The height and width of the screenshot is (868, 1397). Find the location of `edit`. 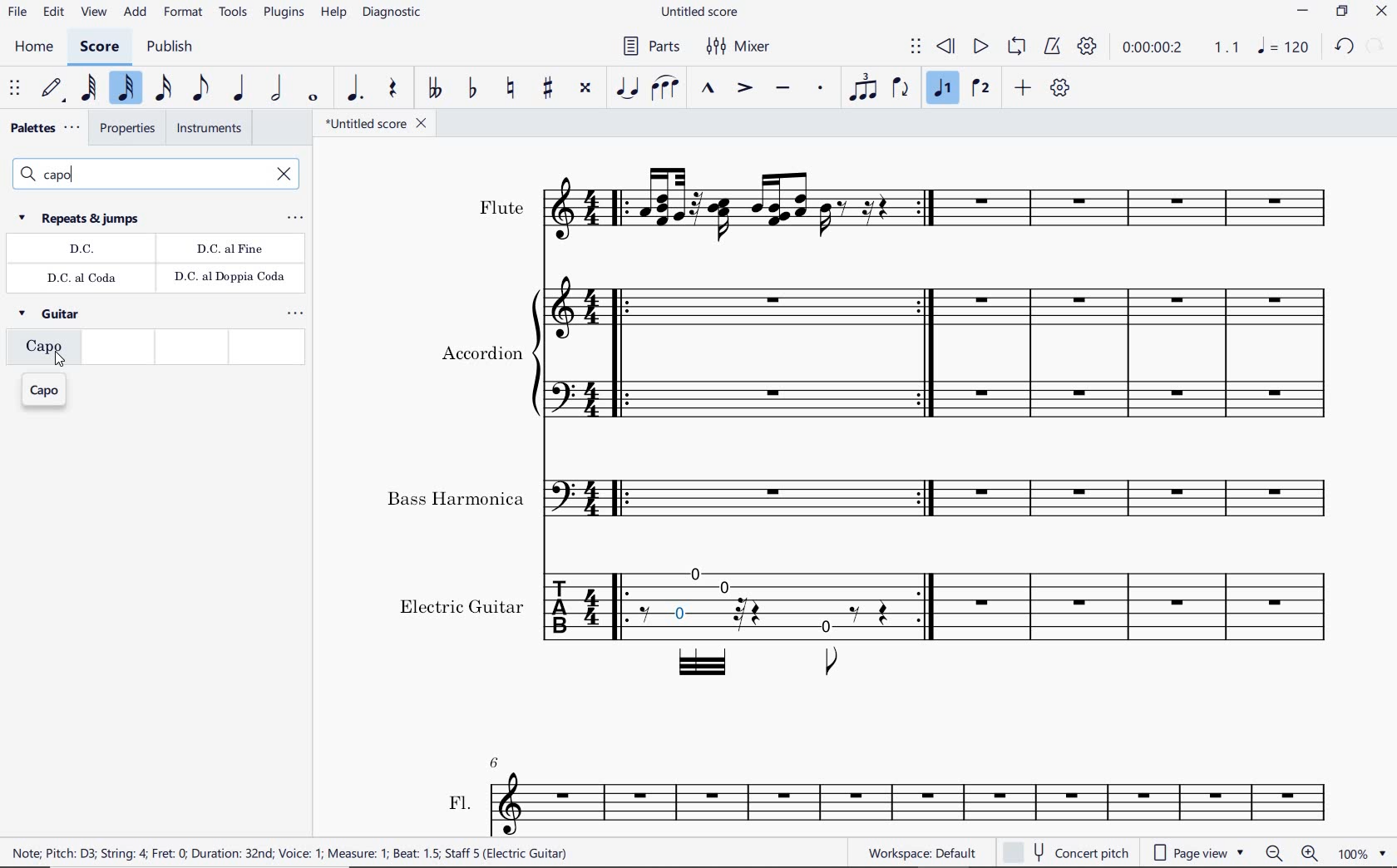

edit is located at coordinates (53, 14).